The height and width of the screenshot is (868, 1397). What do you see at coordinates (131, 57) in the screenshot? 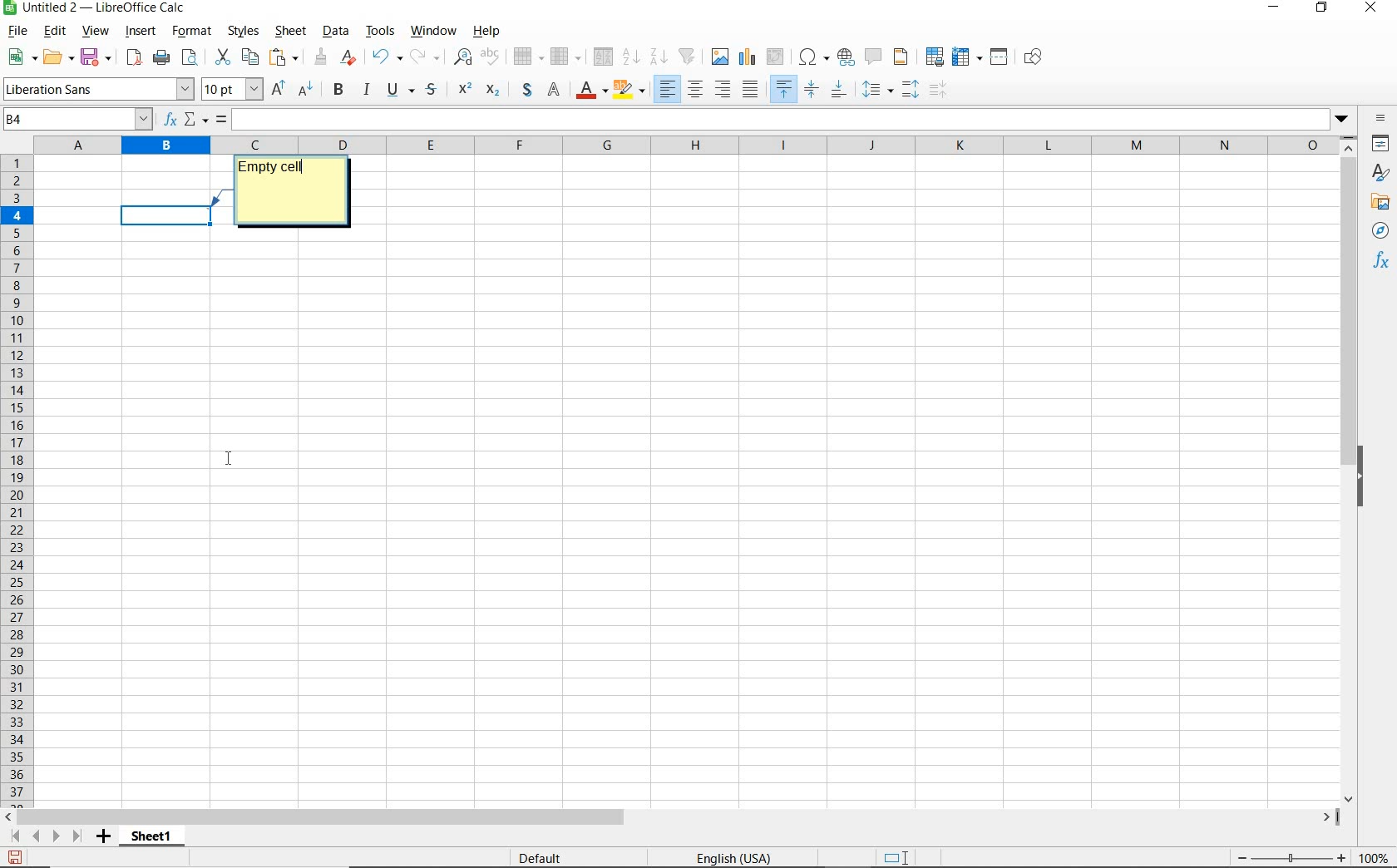
I see `export as pdf` at bounding box center [131, 57].